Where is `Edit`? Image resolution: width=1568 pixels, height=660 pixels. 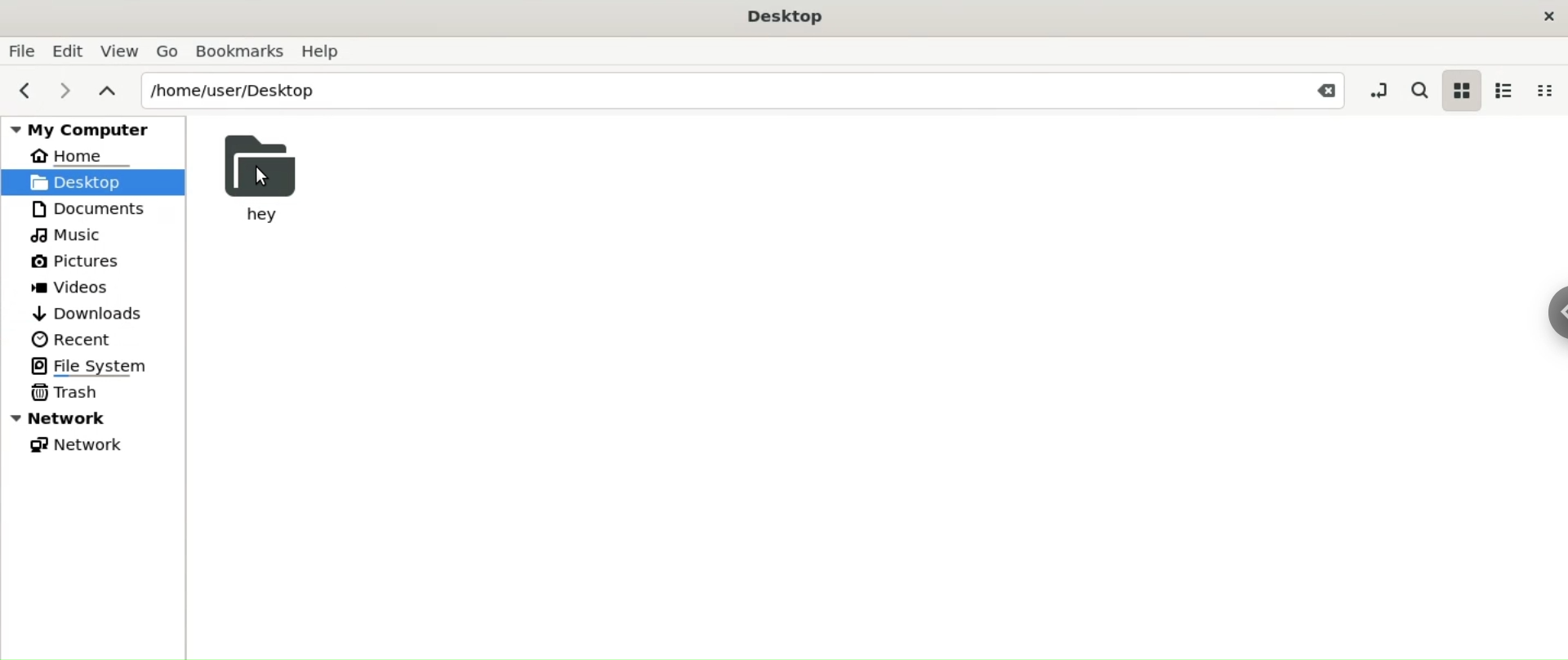
Edit is located at coordinates (69, 50).